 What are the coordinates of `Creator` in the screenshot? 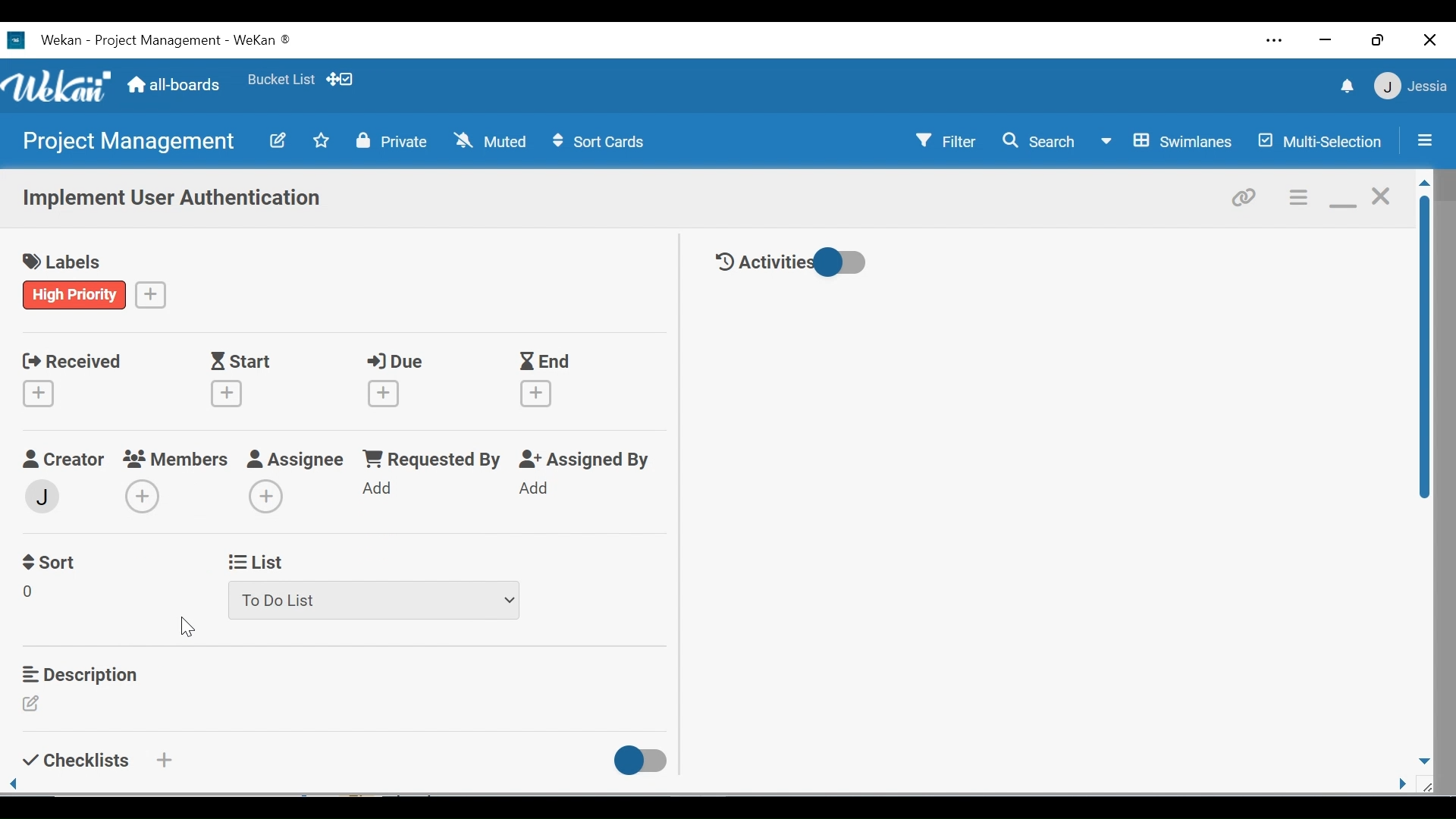 It's located at (62, 460).